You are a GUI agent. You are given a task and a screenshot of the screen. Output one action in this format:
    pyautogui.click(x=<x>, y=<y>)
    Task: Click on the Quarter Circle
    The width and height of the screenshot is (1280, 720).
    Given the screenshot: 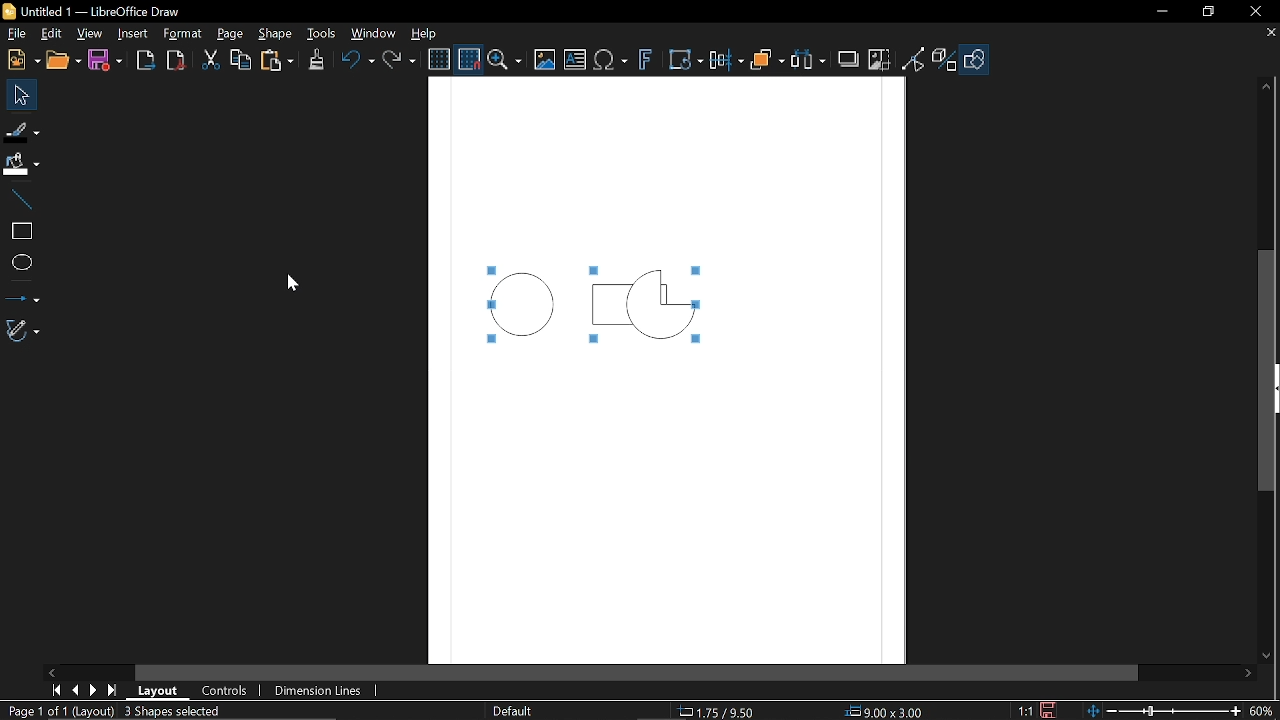 What is the action you would take?
    pyautogui.click(x=661, y=303)
    